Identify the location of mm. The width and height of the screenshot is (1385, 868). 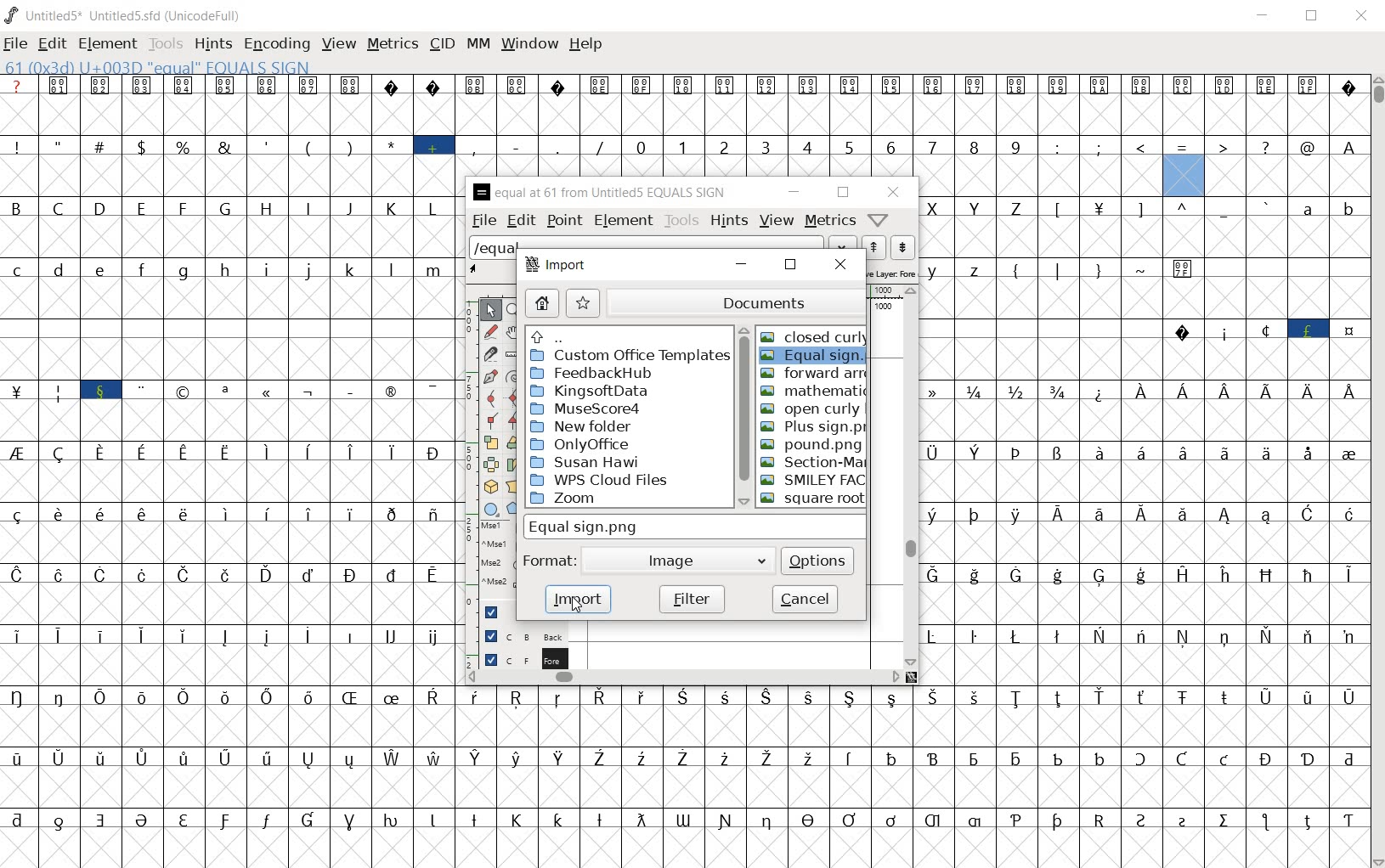
(478, 45).